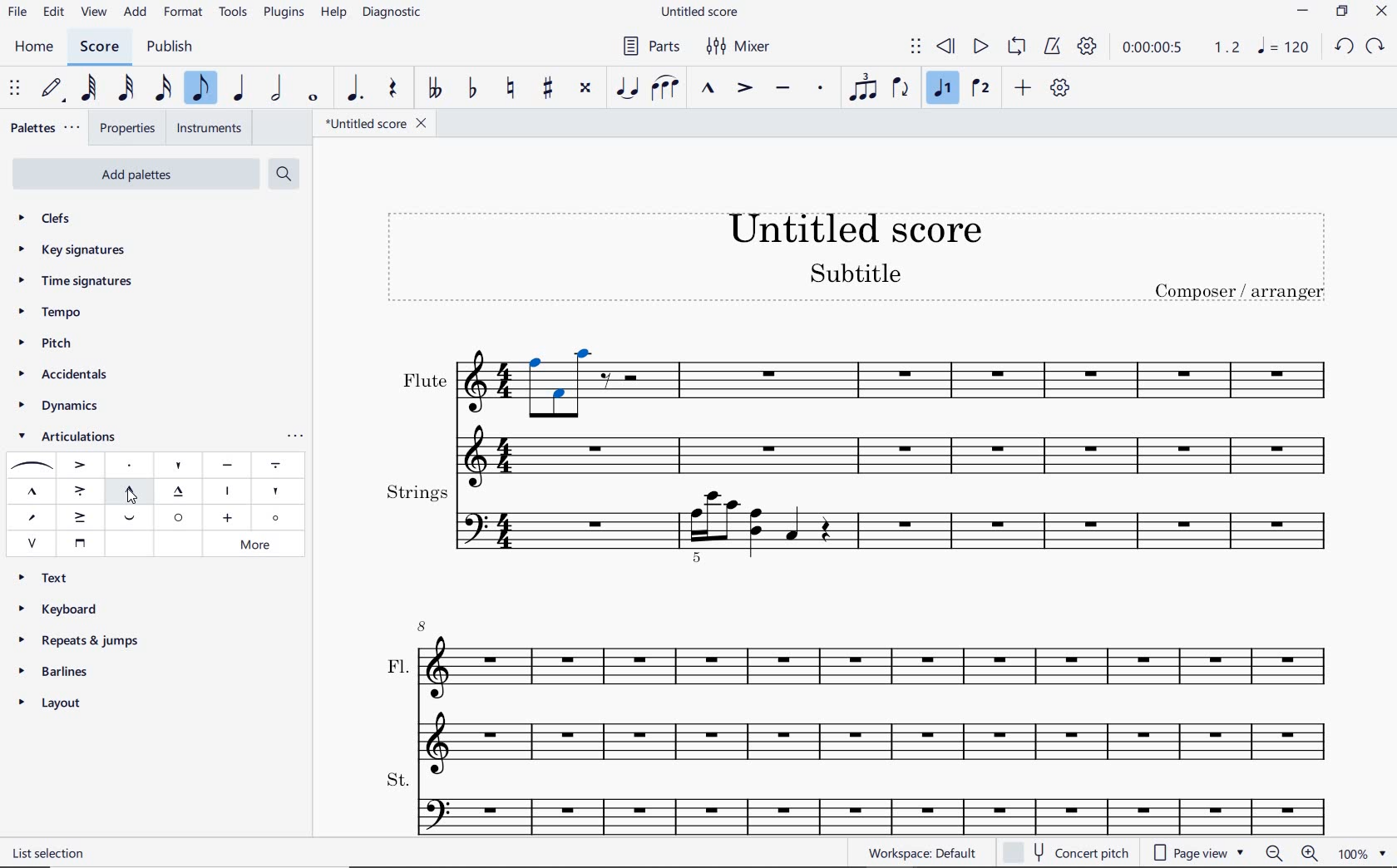  Describe the element at coordinates (945, 90) in the screenshot. I see `VOICE 1` at that location.